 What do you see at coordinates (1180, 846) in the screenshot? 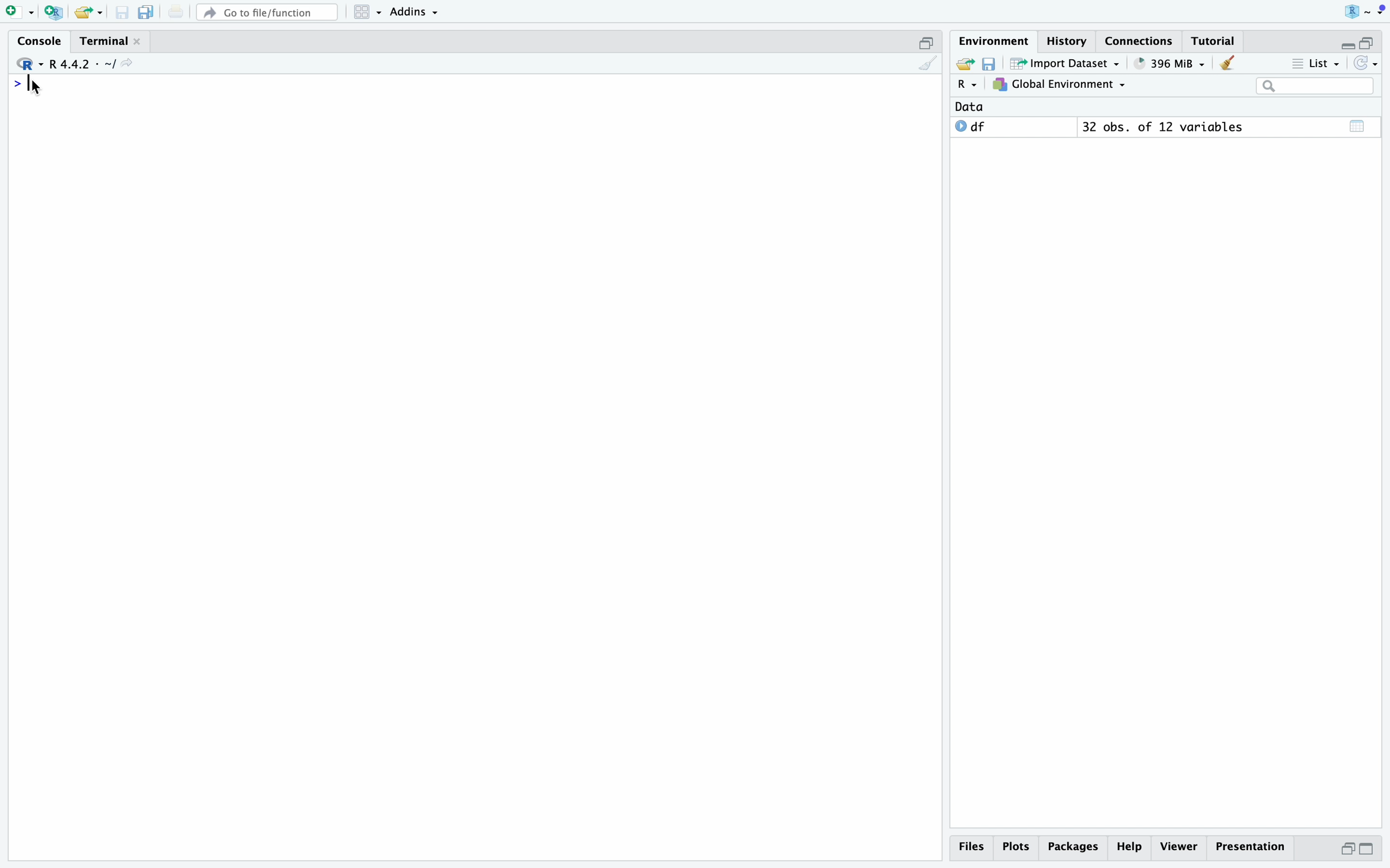
I see `viewer` at bounding box center [1180, 846].